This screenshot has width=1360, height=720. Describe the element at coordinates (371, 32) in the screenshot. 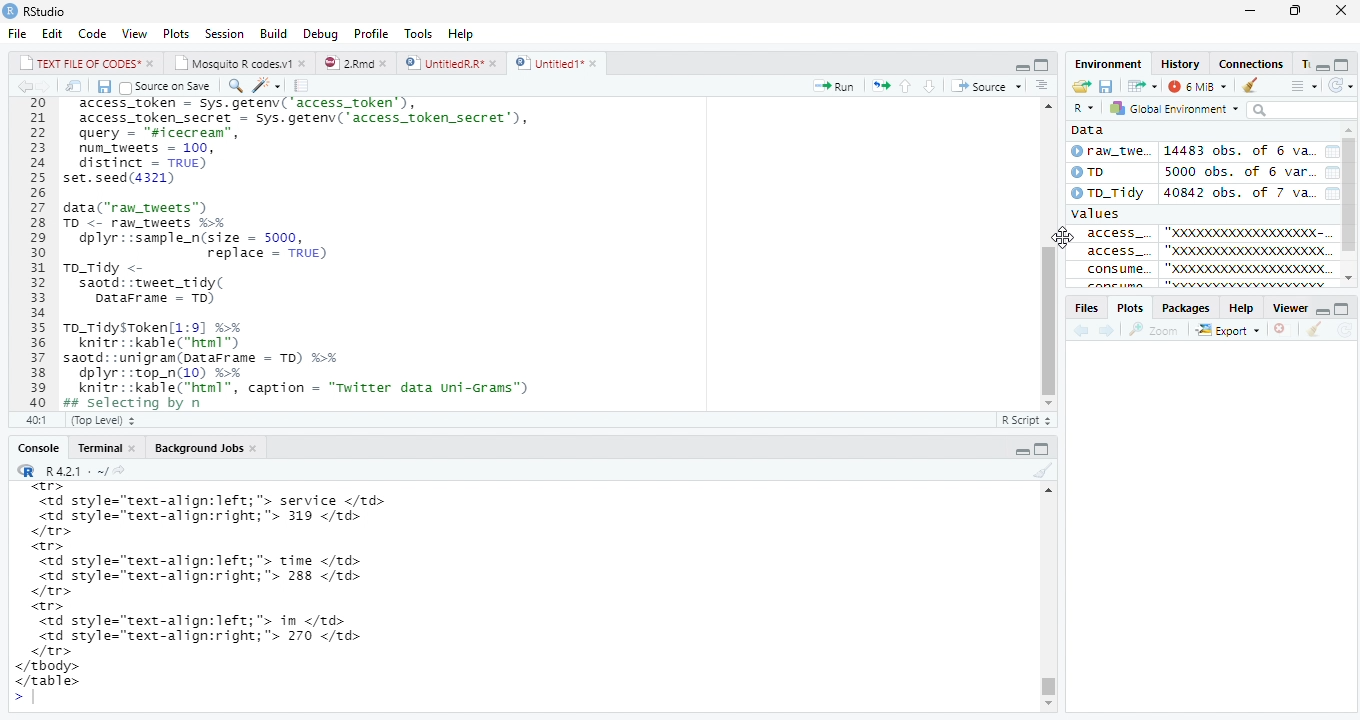

I see `Profile` at that location.